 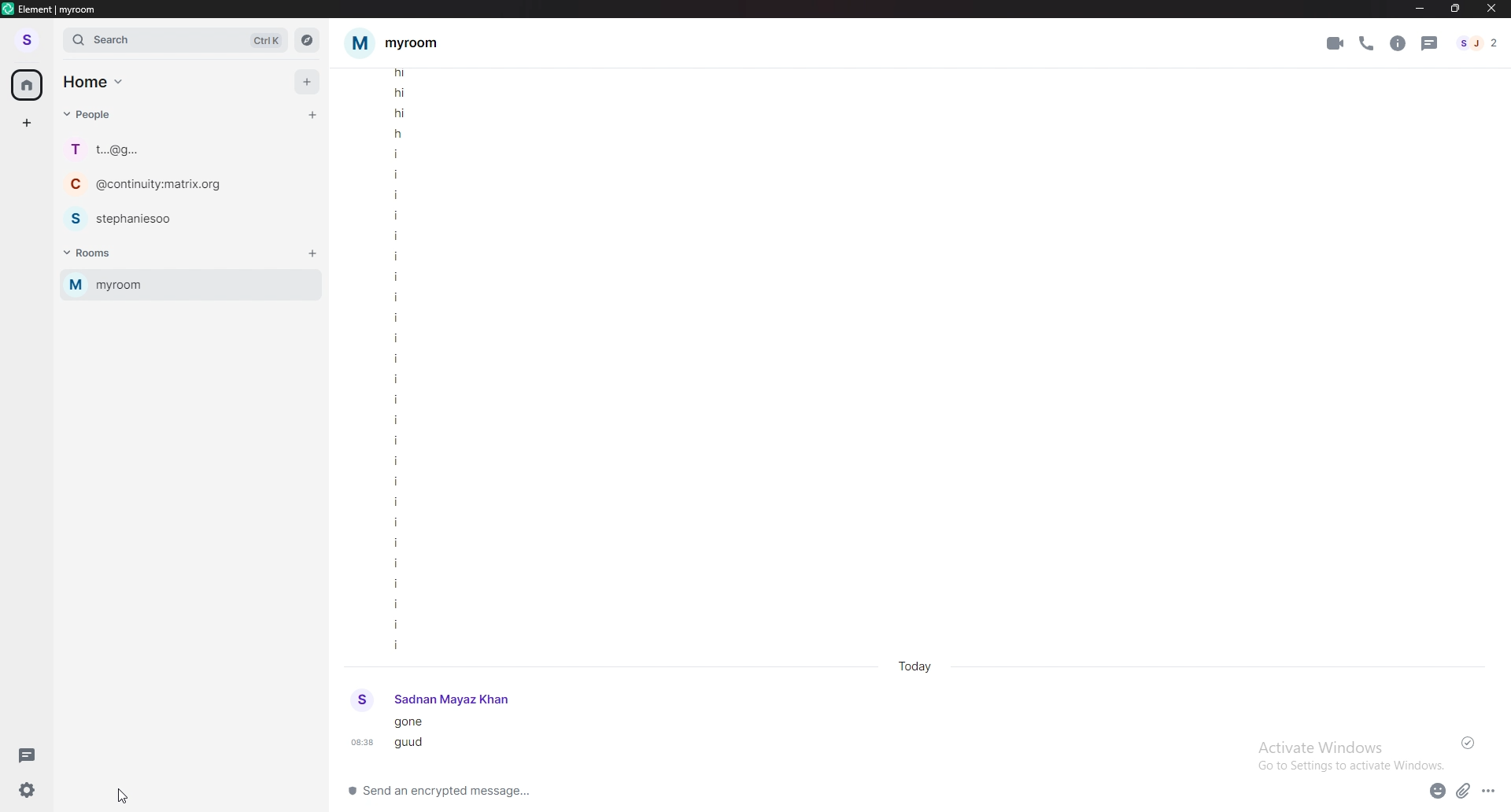 I want to click on options, so click(x=1491, y=791).